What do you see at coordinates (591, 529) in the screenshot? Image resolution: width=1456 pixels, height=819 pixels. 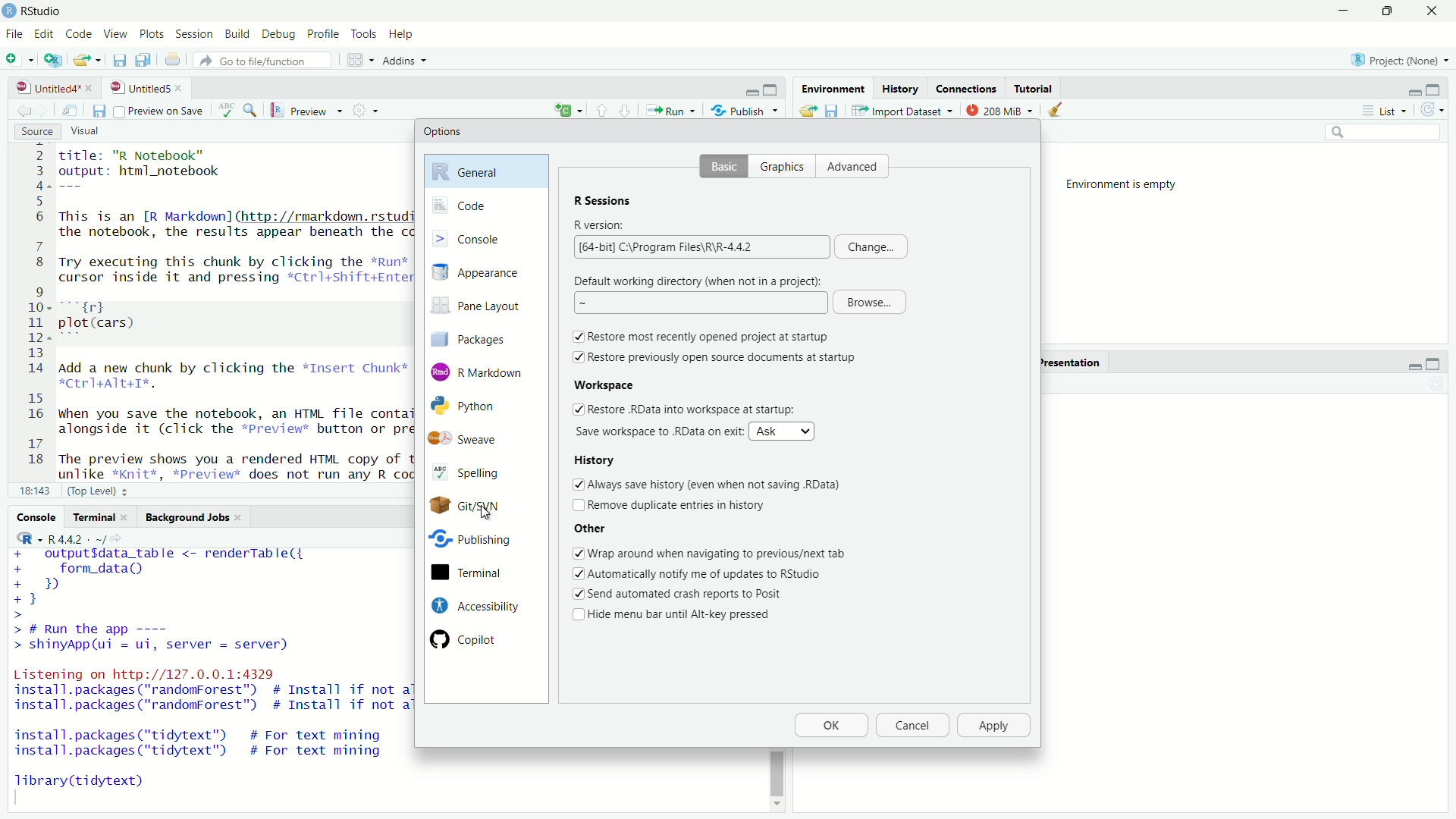 I see `Other` at bounding box center [591, 529].